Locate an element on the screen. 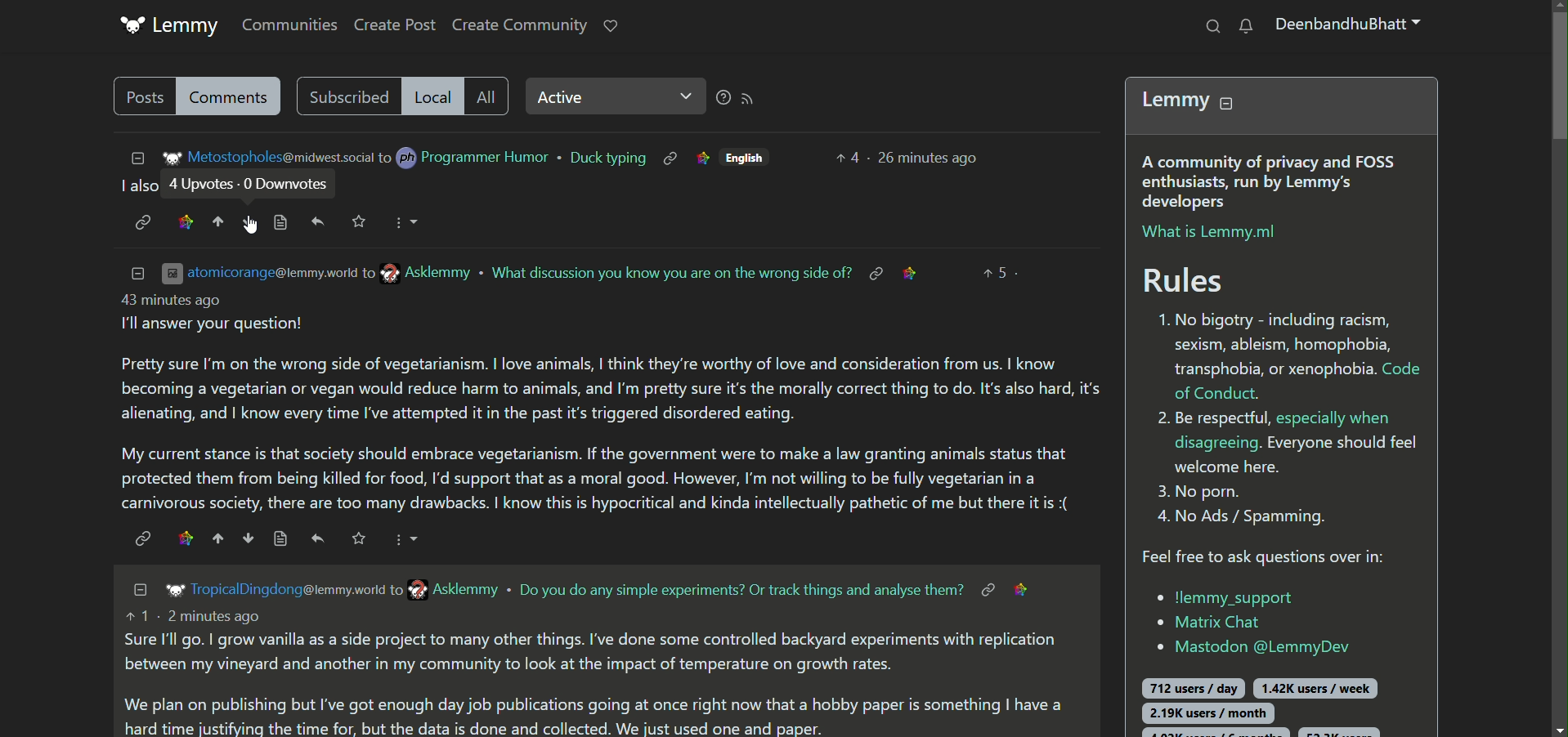 This screenshot has width=1568, height=737. matrix chat is located at coordinates (1209, 623).